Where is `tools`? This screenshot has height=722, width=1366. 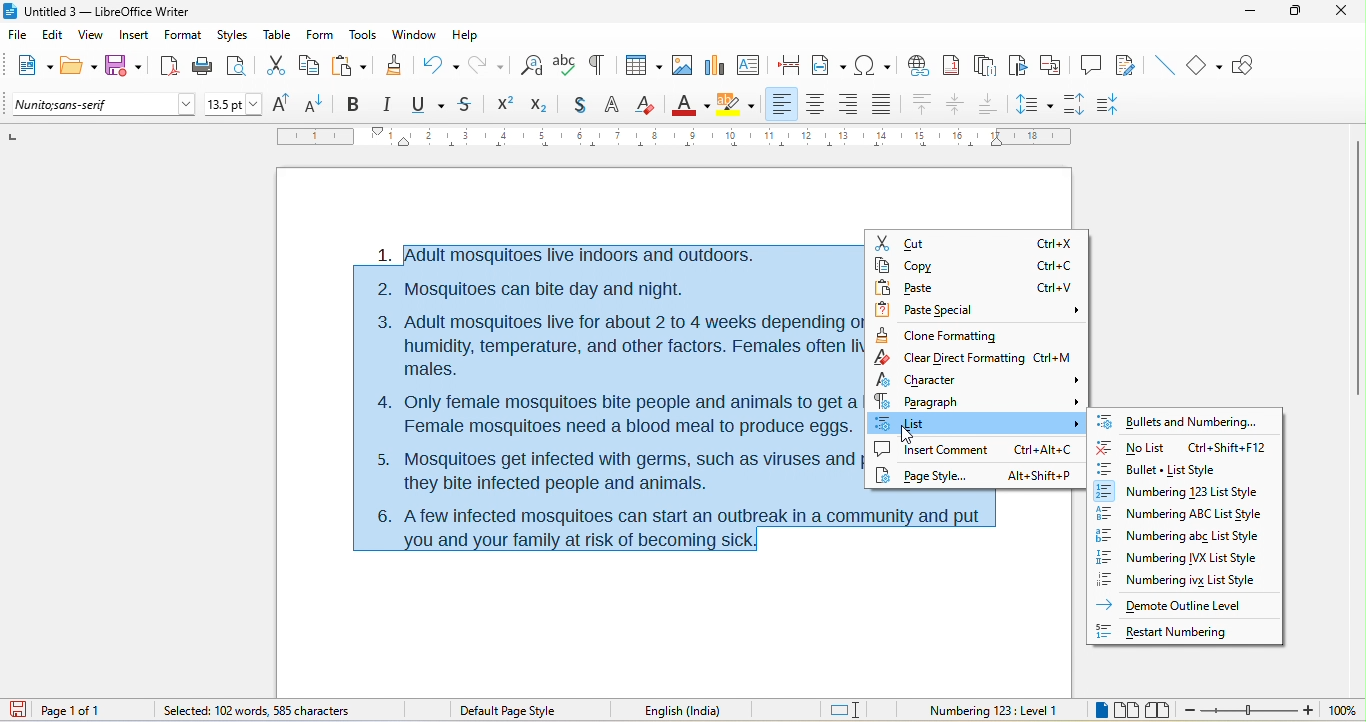
tools is located at coordinates (365, 36).